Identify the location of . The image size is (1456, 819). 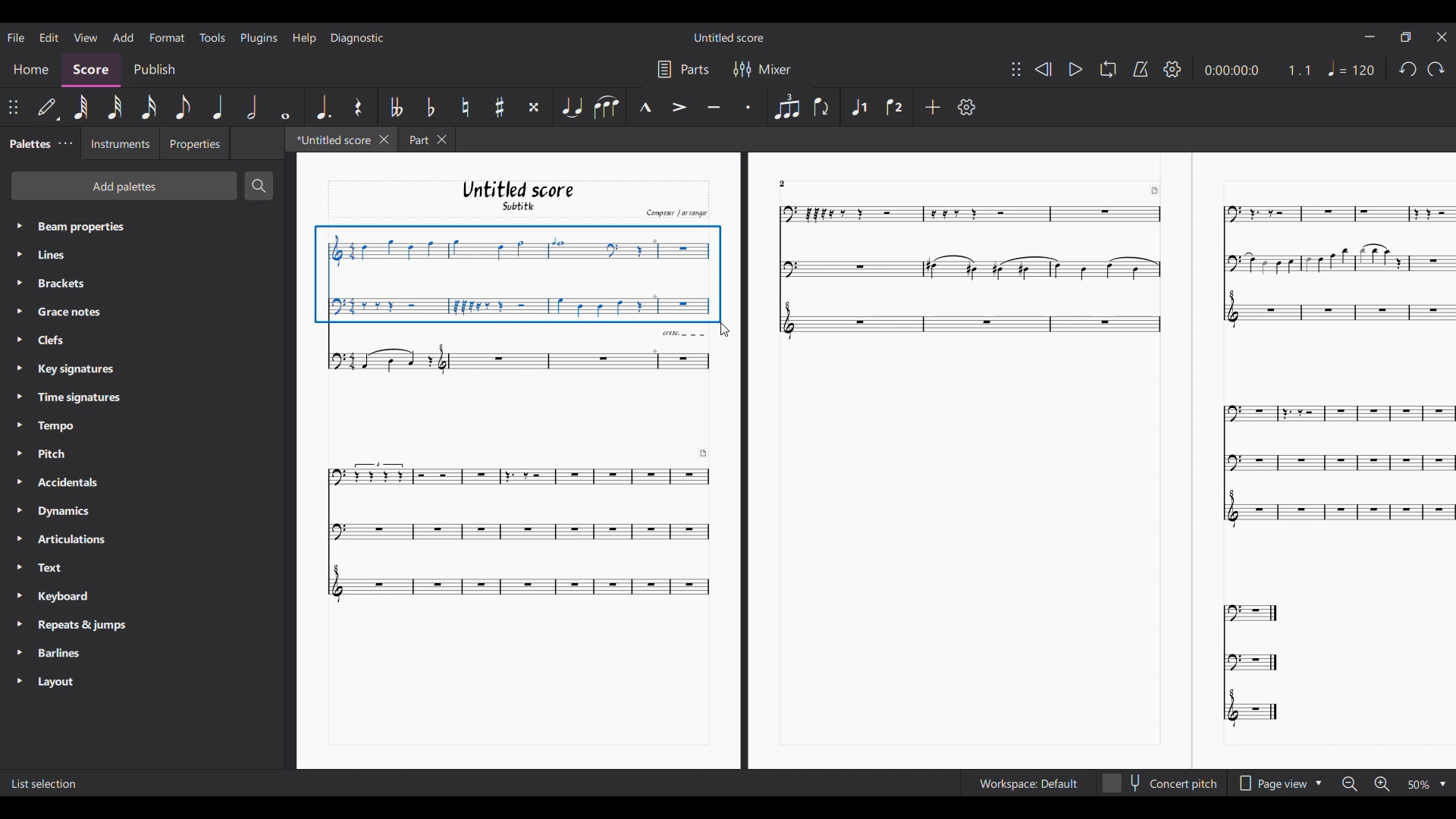
(1250, 613).